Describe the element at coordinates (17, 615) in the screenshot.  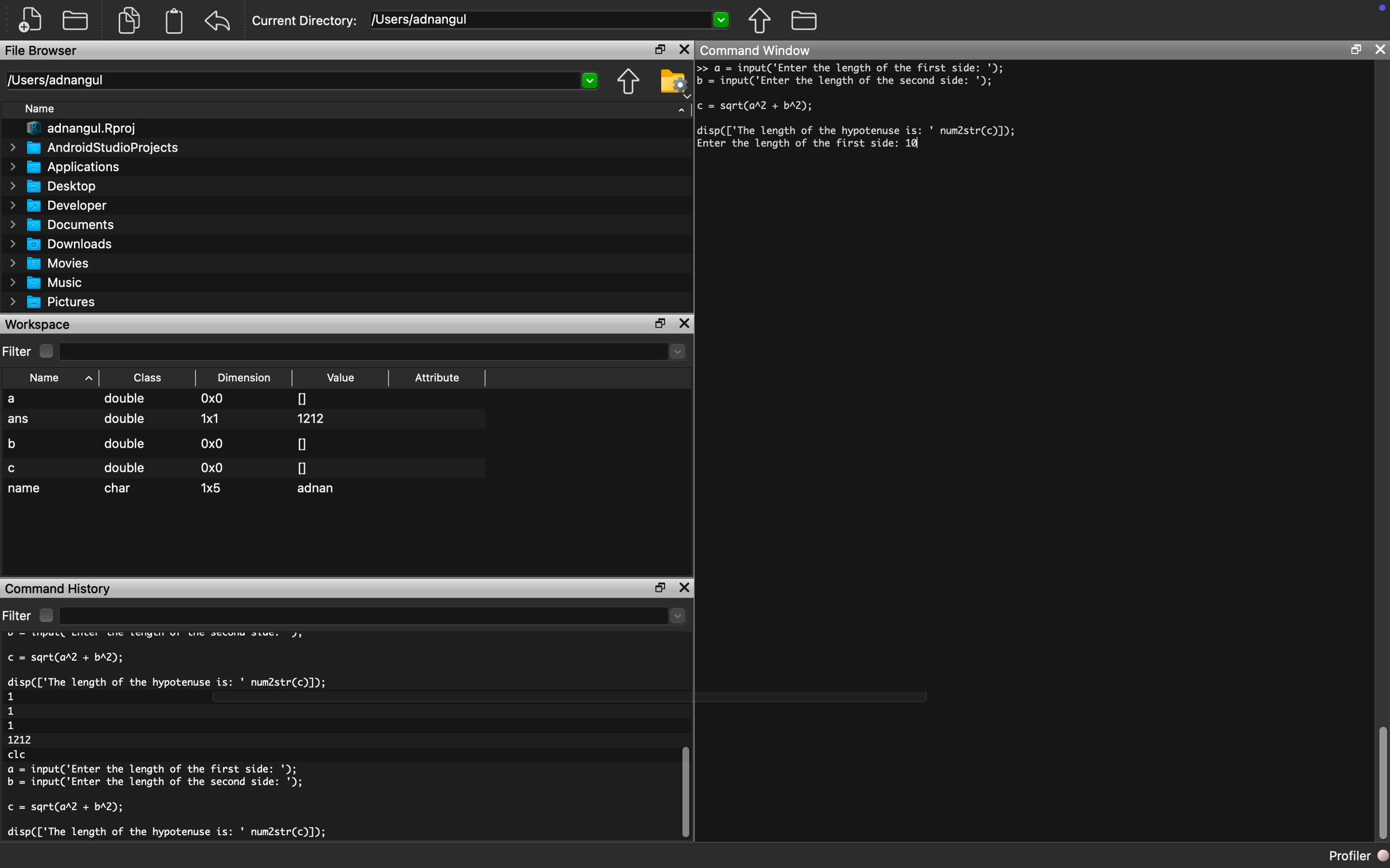
I see `filter` at that location.